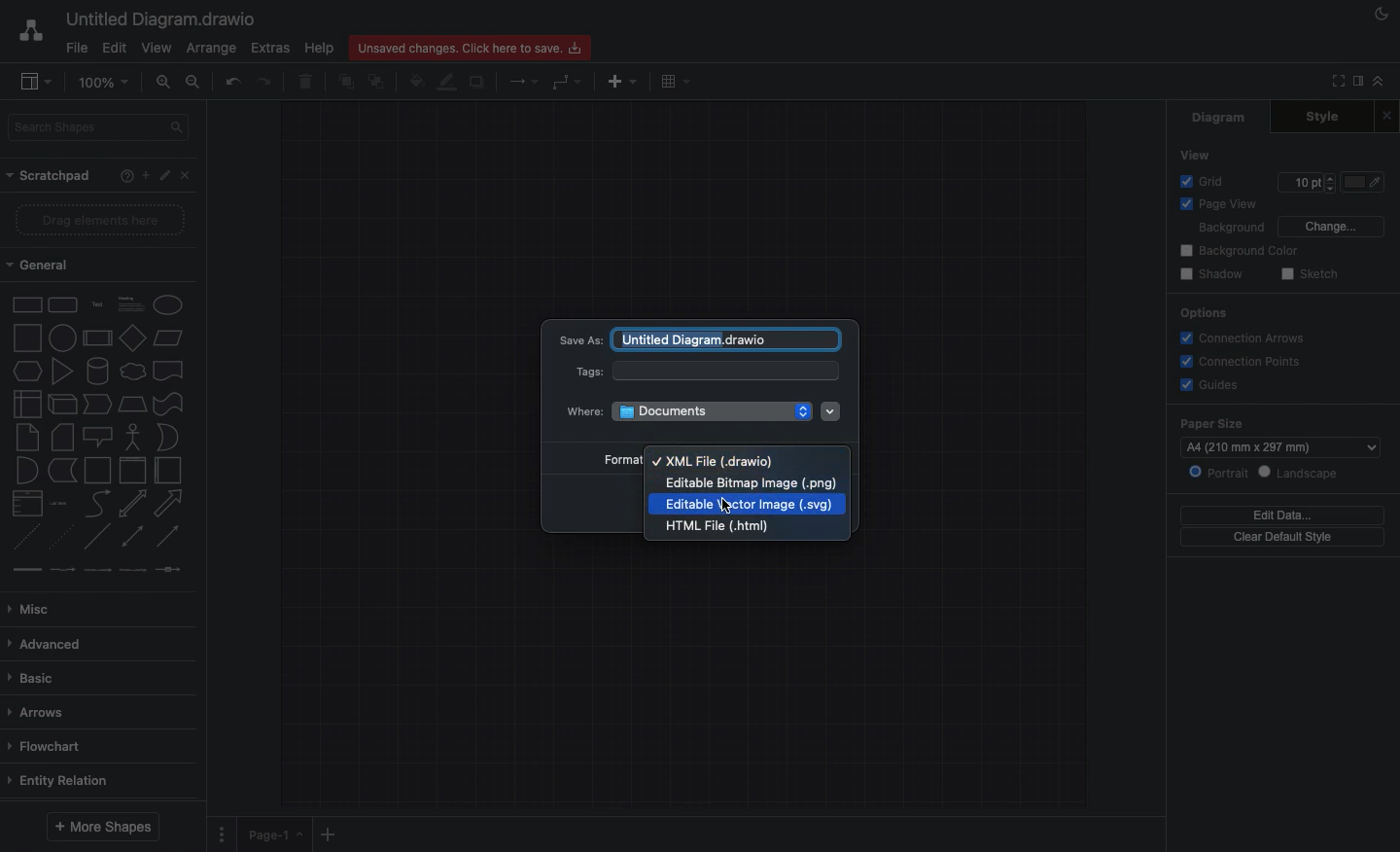  Describe the element at coordinates (470, 47) in the screenshot. I see `Unsaved changes. Click here to save.` at that location.